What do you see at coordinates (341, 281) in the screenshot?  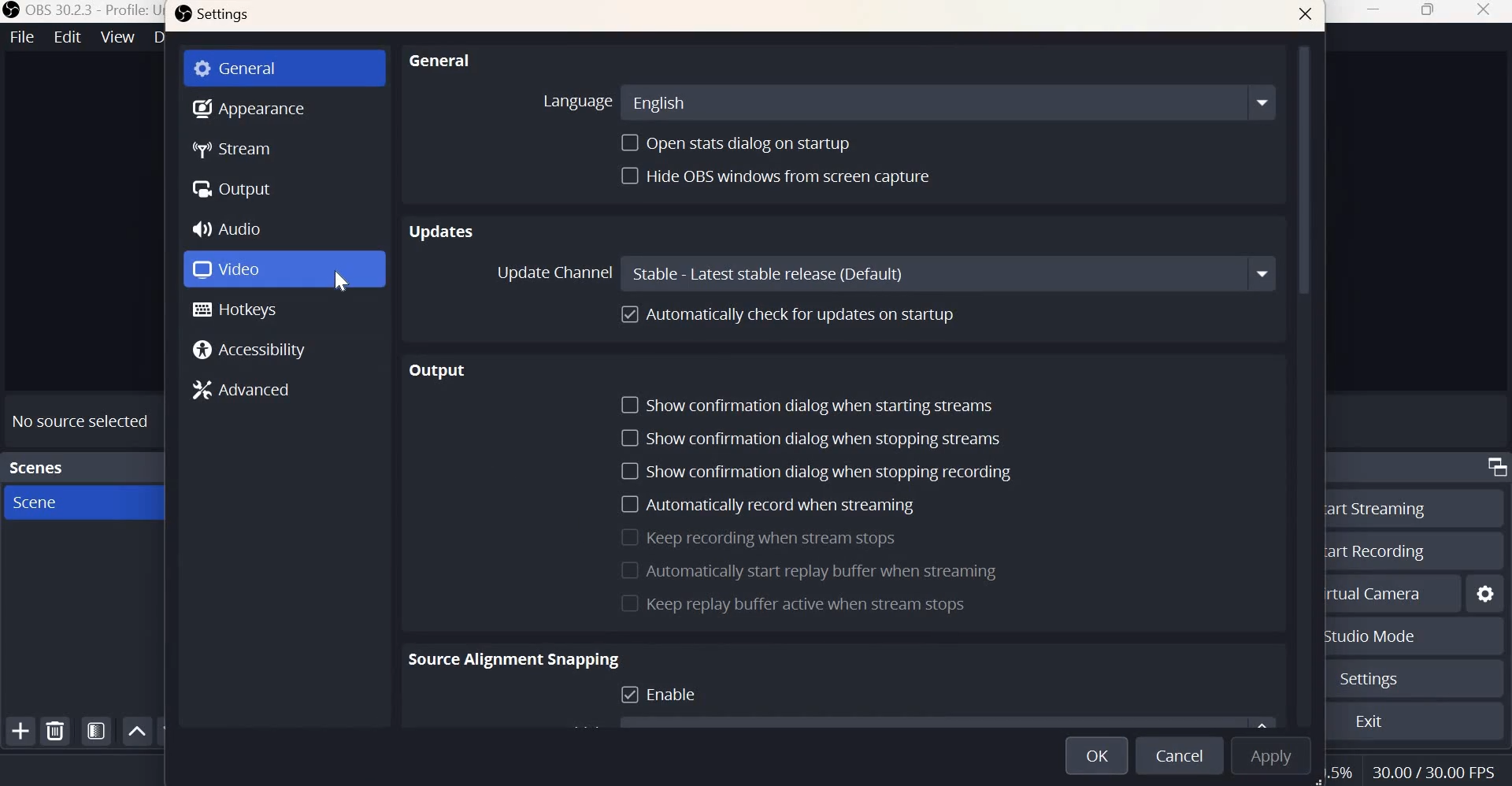 I see `cursor` at bounding box center [341, 281].